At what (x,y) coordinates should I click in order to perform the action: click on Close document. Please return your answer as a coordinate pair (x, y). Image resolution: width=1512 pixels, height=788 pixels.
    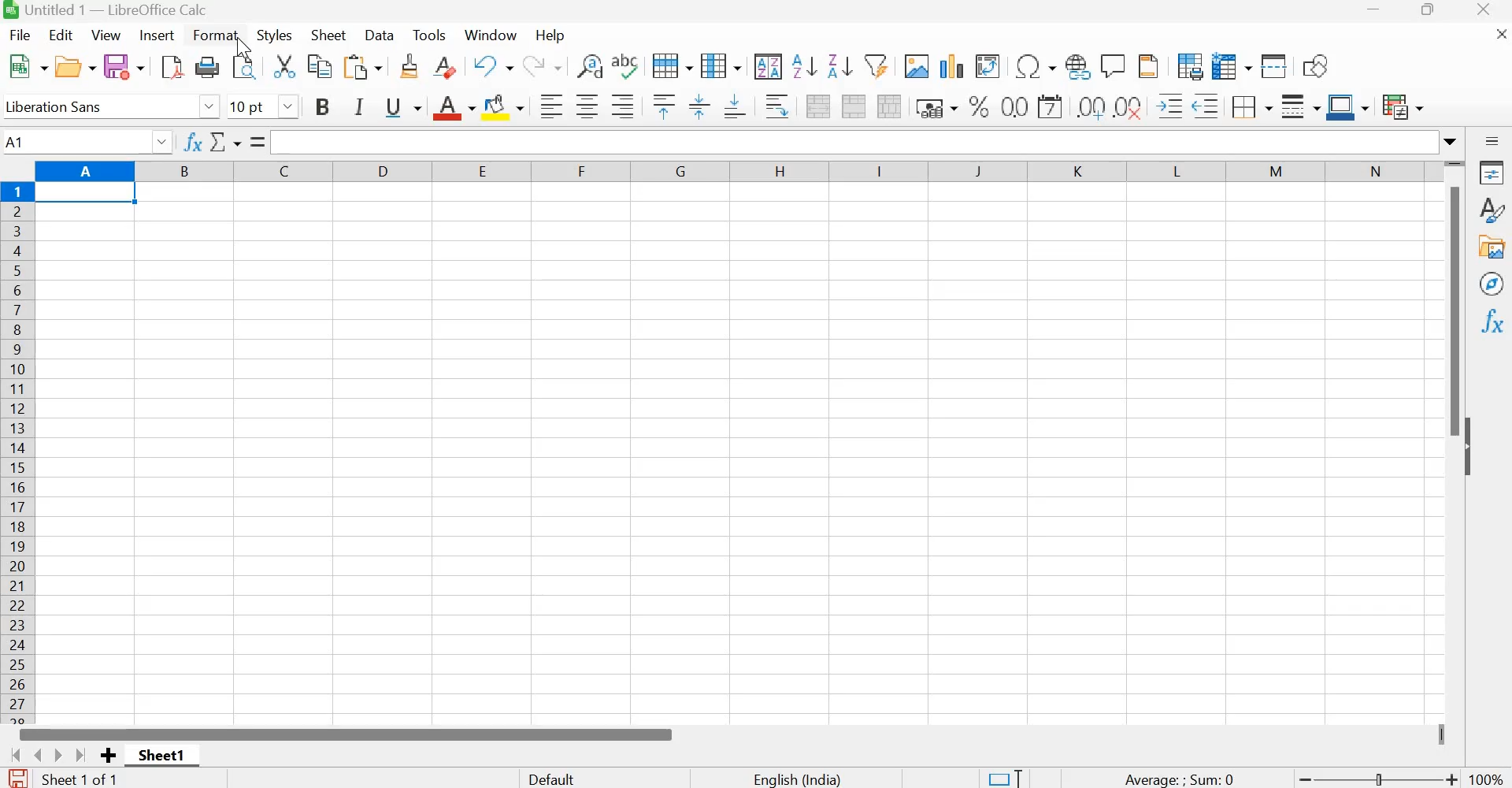
    Looking at the image, I should click on (1493, 39).